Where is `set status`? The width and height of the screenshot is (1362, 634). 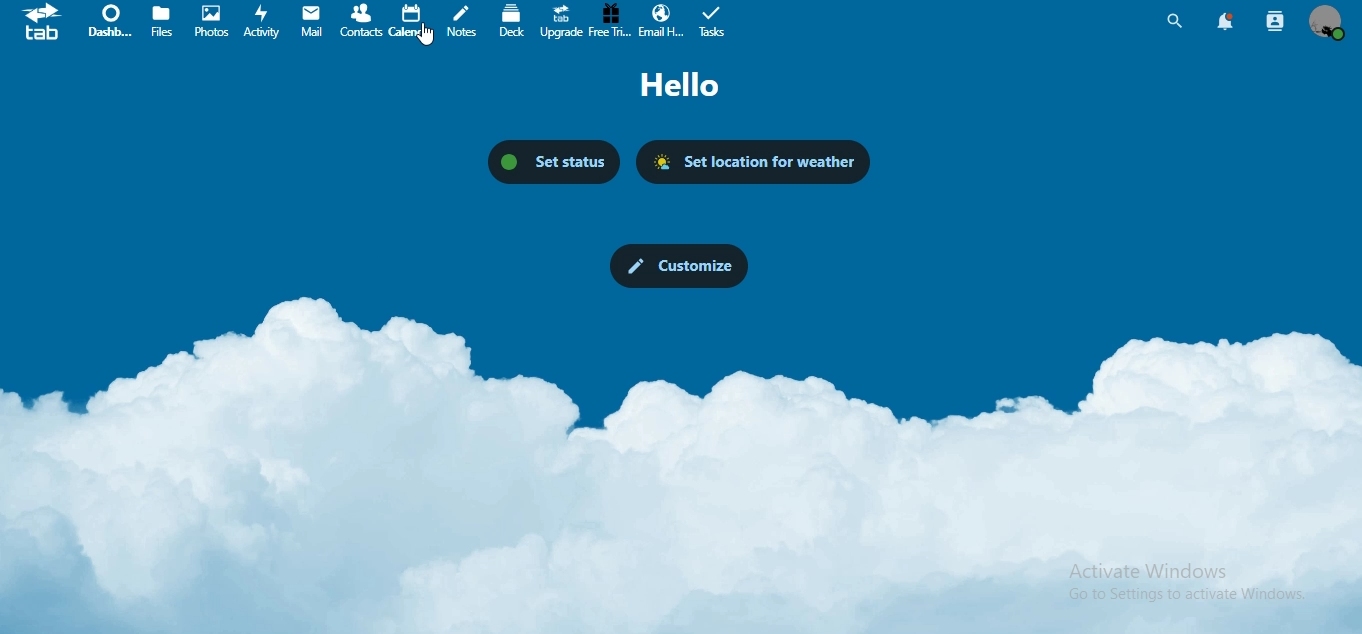 set status is located at coordinates (553, 159).